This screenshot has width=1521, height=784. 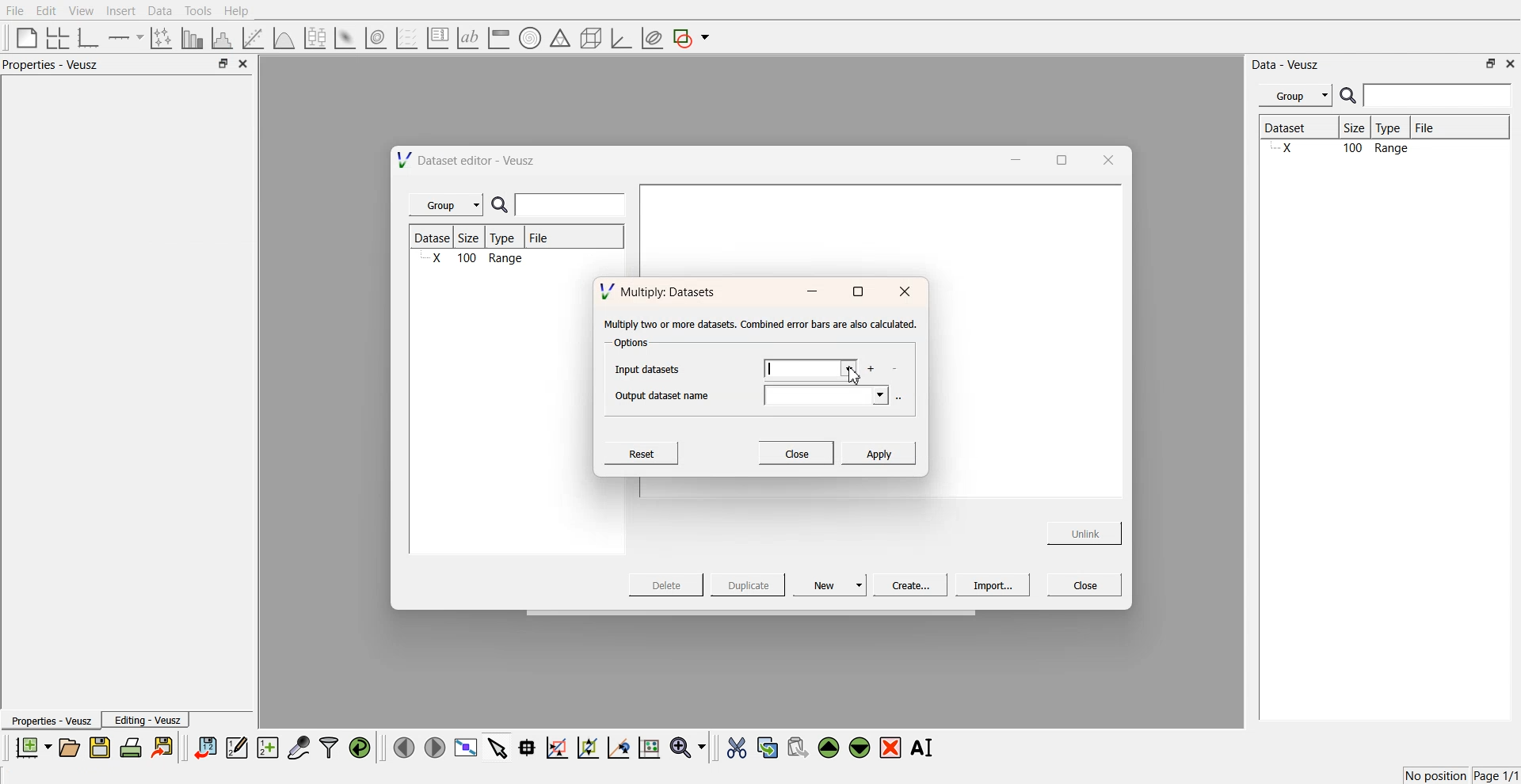 I want to click on move  the selected widgets down, so click(x=860, y=746).